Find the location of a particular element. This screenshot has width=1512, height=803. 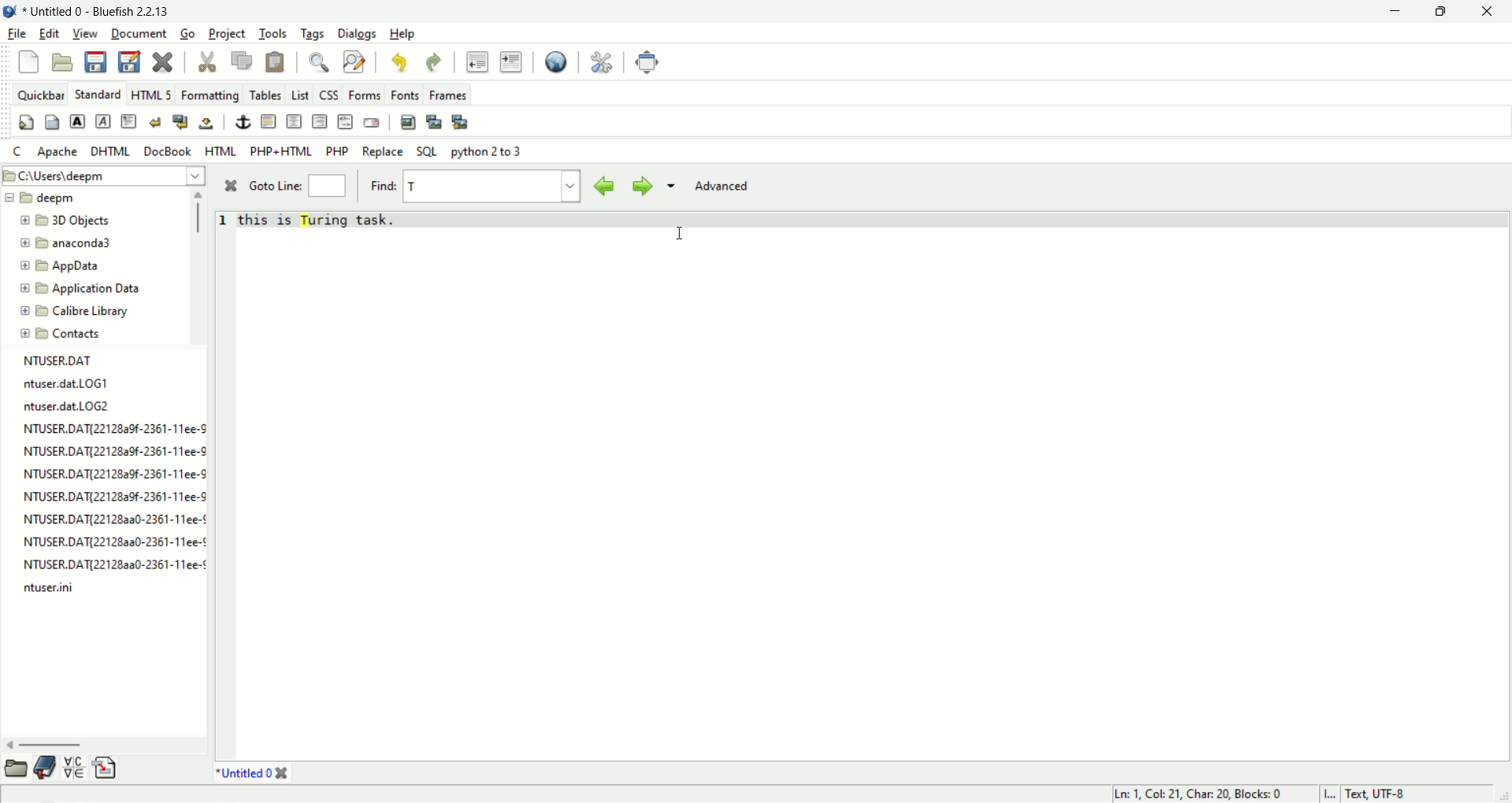

advanced is located at coordinates (728, 184).